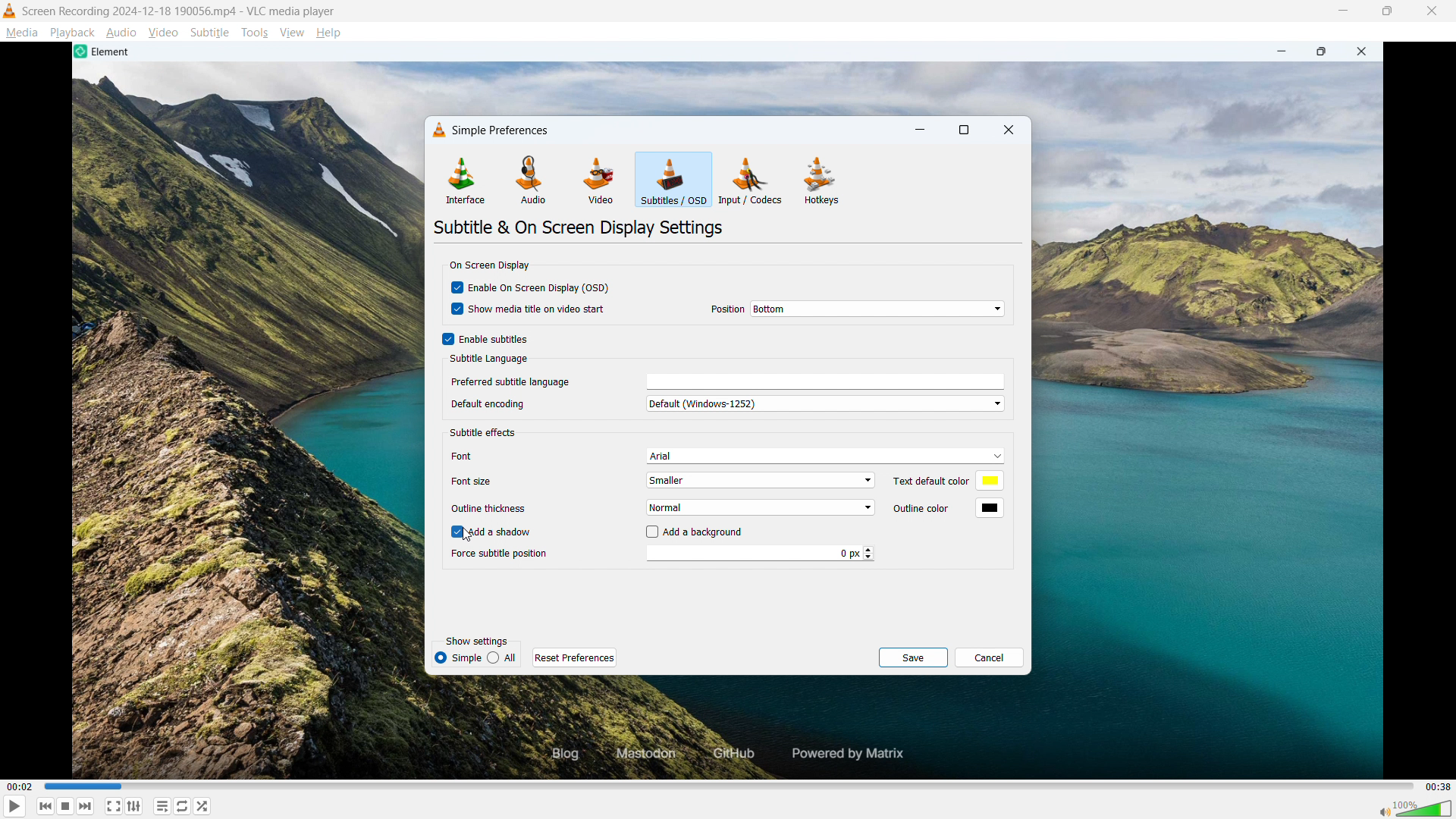 This screenshot has height=819, width=1456. Describe the element at coordinates (825, 403) in the screenshot. I see `Default (Windows-1252)` at that location.